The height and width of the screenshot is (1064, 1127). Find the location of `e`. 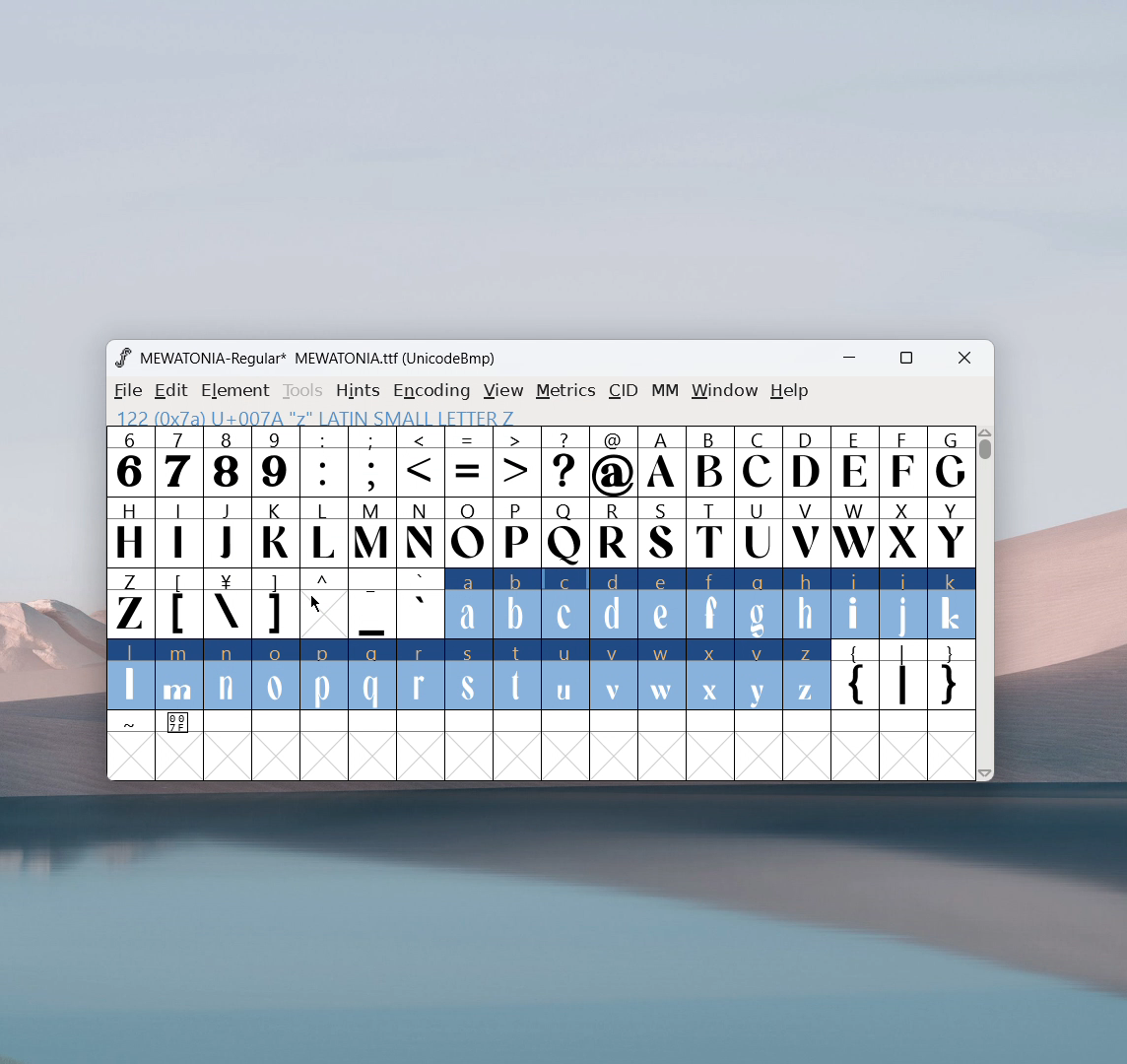

e is located at coordinates (662, 605).